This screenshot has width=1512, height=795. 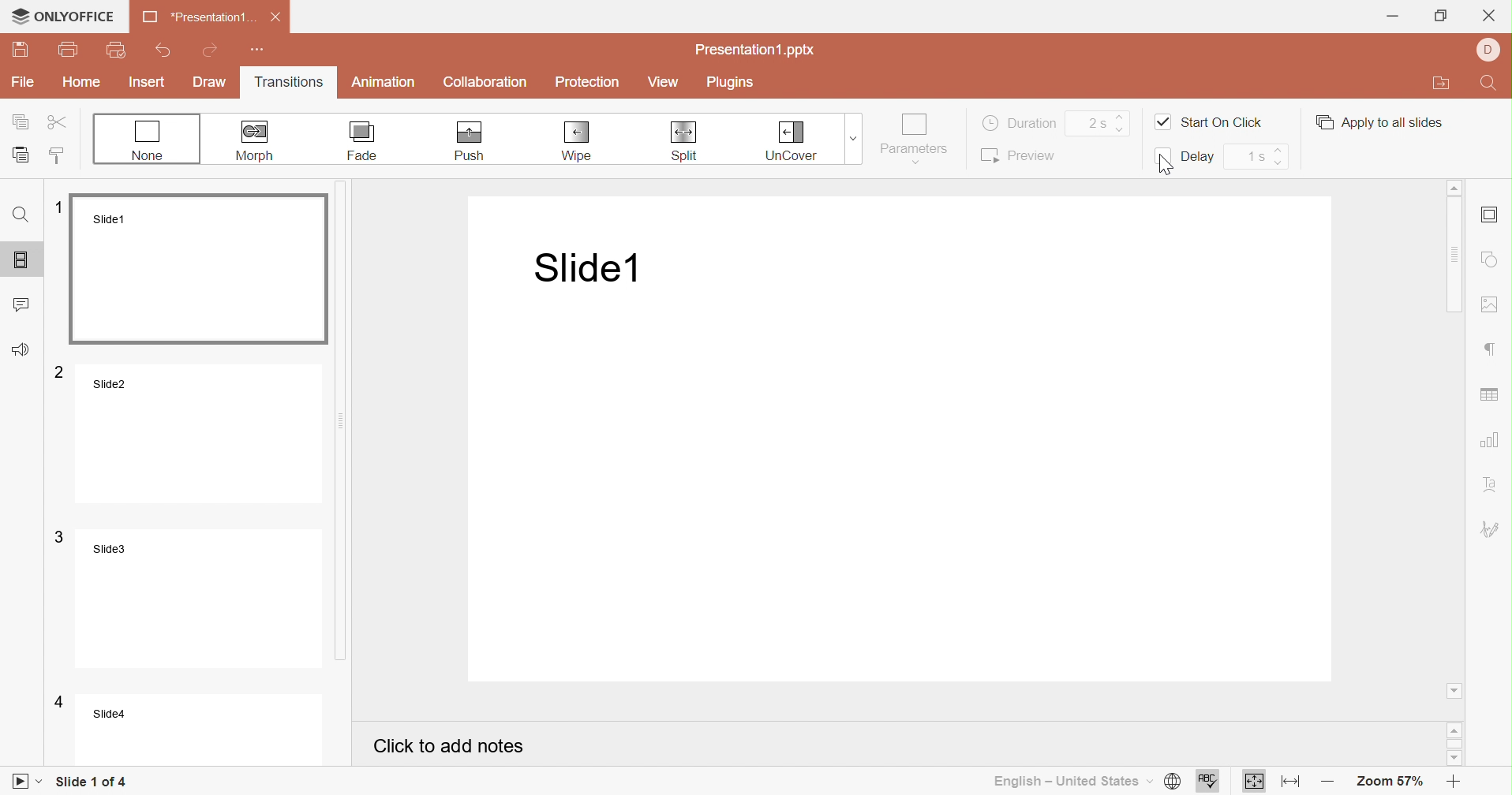 I want to click on 2, so click(x=62, y=371).